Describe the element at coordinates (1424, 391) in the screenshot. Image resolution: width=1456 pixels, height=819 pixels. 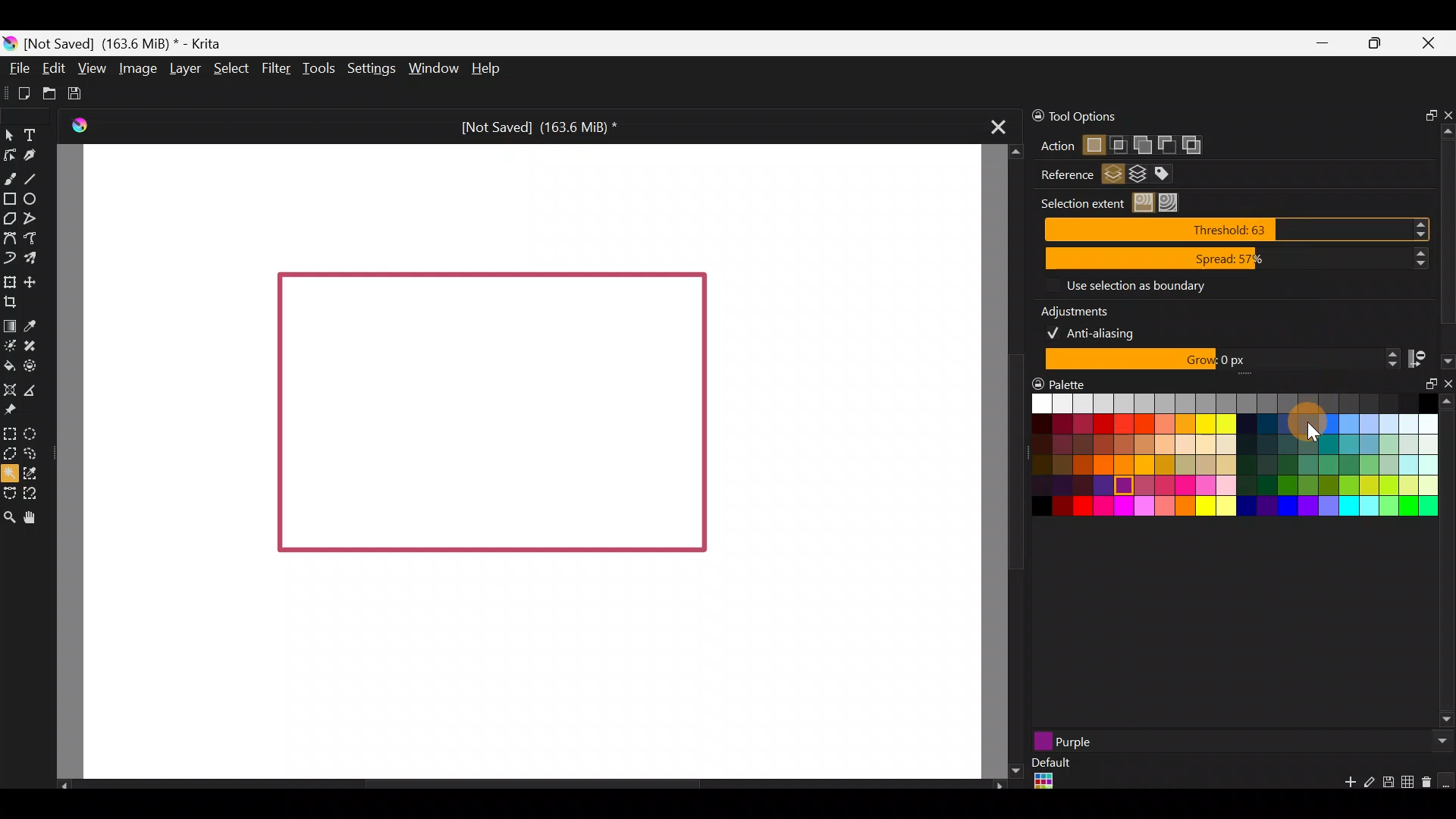
I see `Float docker` at that location.